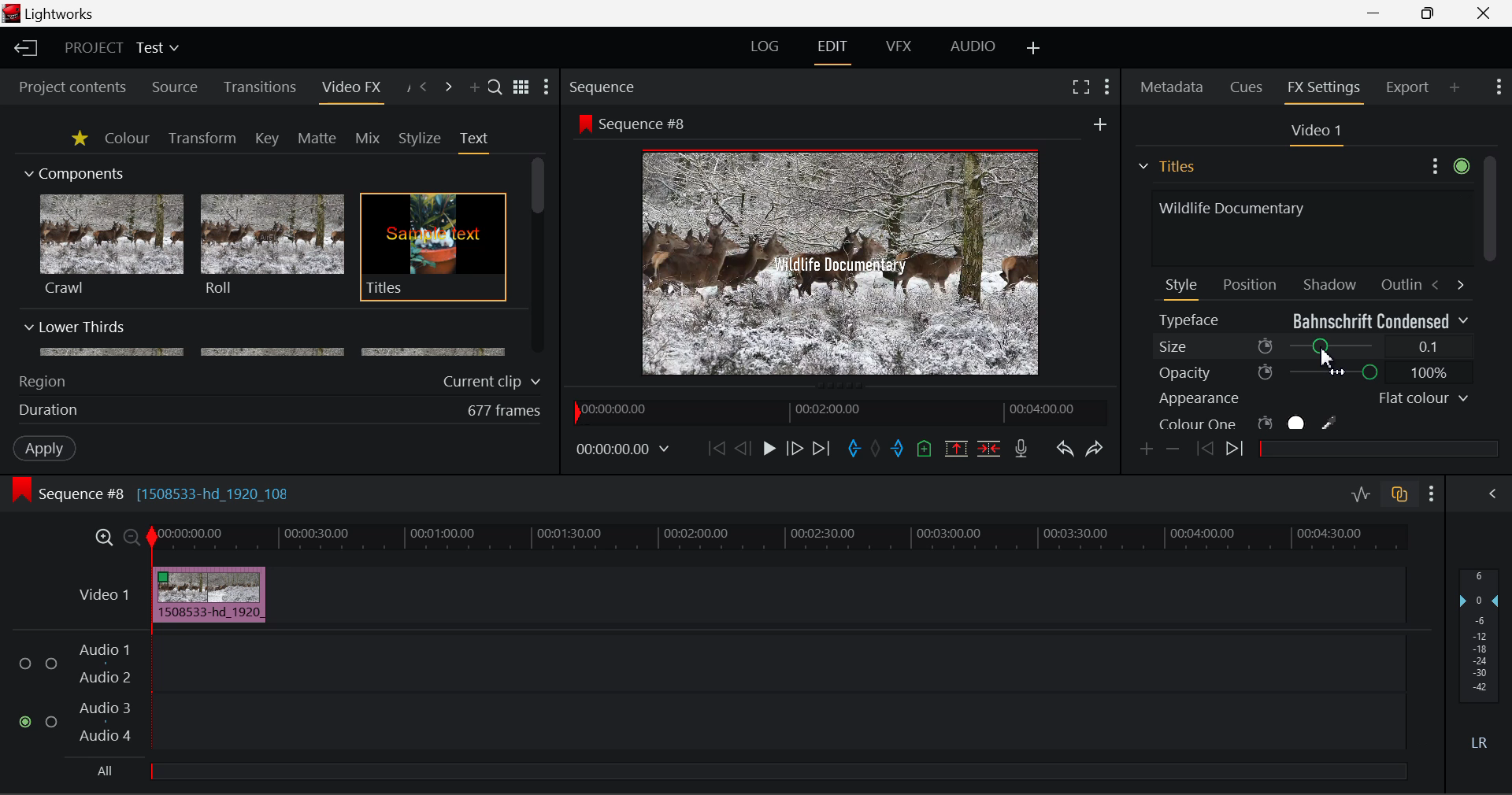 This screenshot has height=795, width=1512. Describe the element at coordinates (260, 87) in the screenshot. I see `Transitions` at that location.